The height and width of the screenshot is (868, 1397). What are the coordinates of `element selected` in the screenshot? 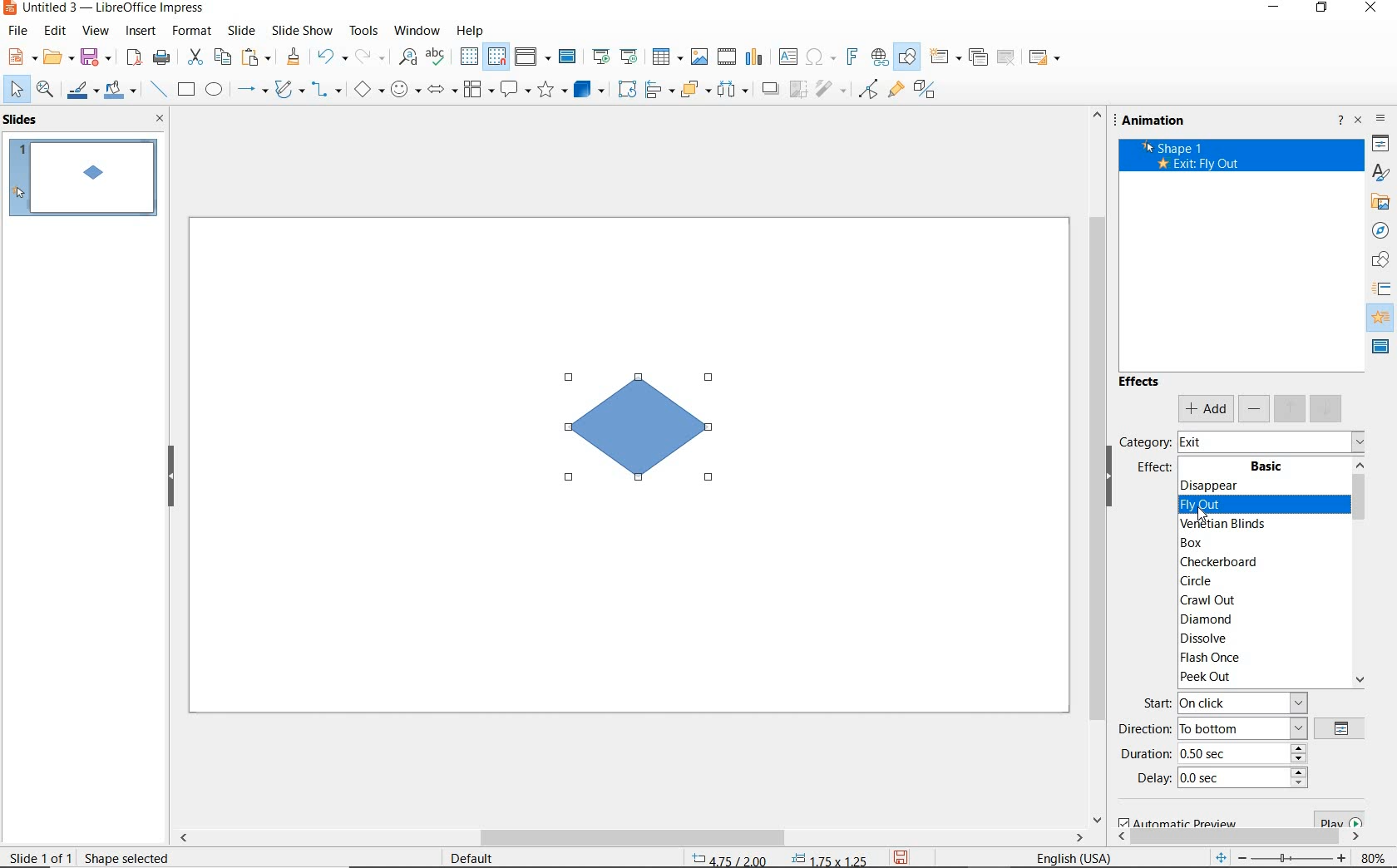 It's located at (639, 426).